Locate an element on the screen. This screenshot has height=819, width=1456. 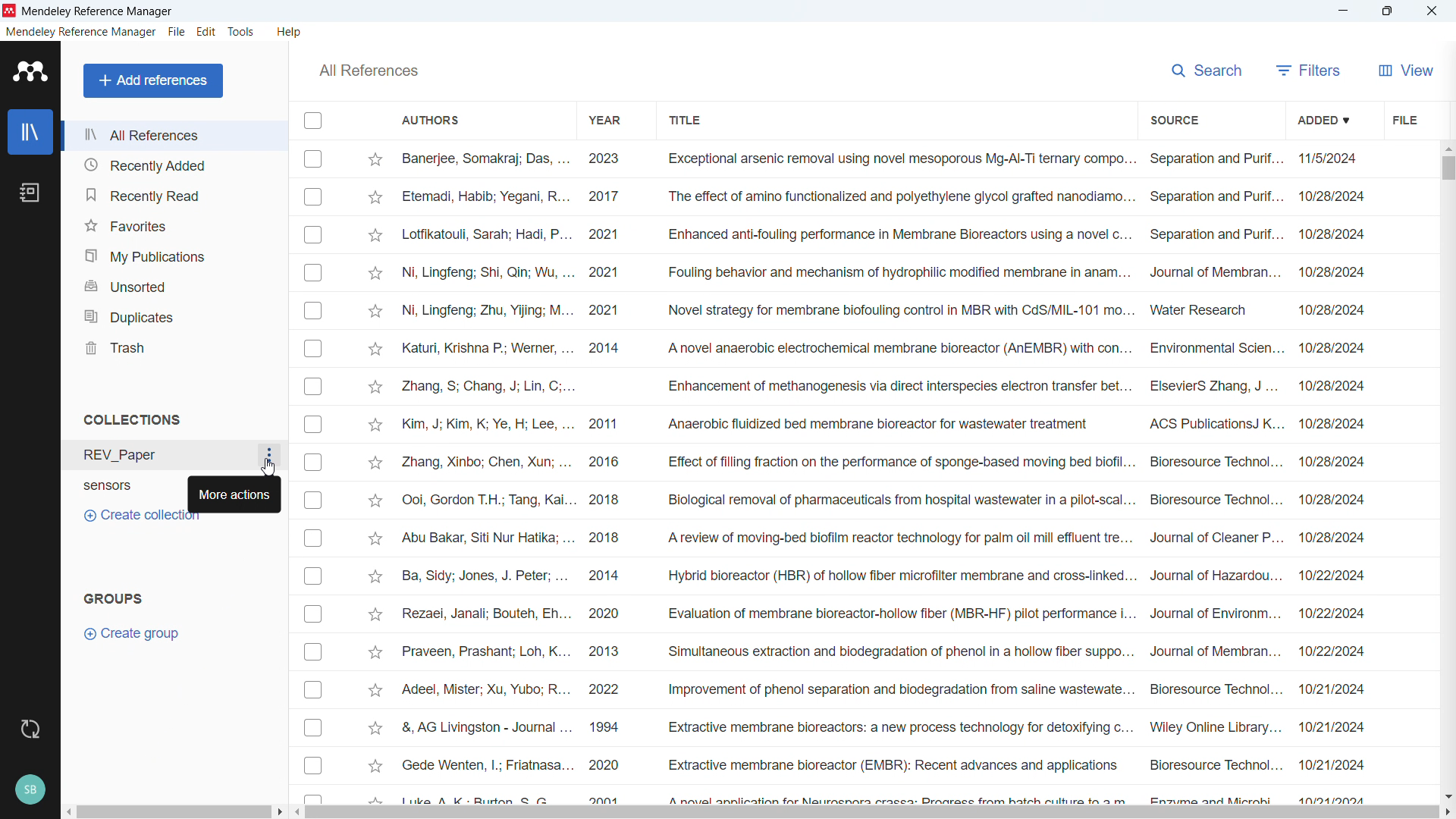
Authors  is located at coordinates (431, 121).